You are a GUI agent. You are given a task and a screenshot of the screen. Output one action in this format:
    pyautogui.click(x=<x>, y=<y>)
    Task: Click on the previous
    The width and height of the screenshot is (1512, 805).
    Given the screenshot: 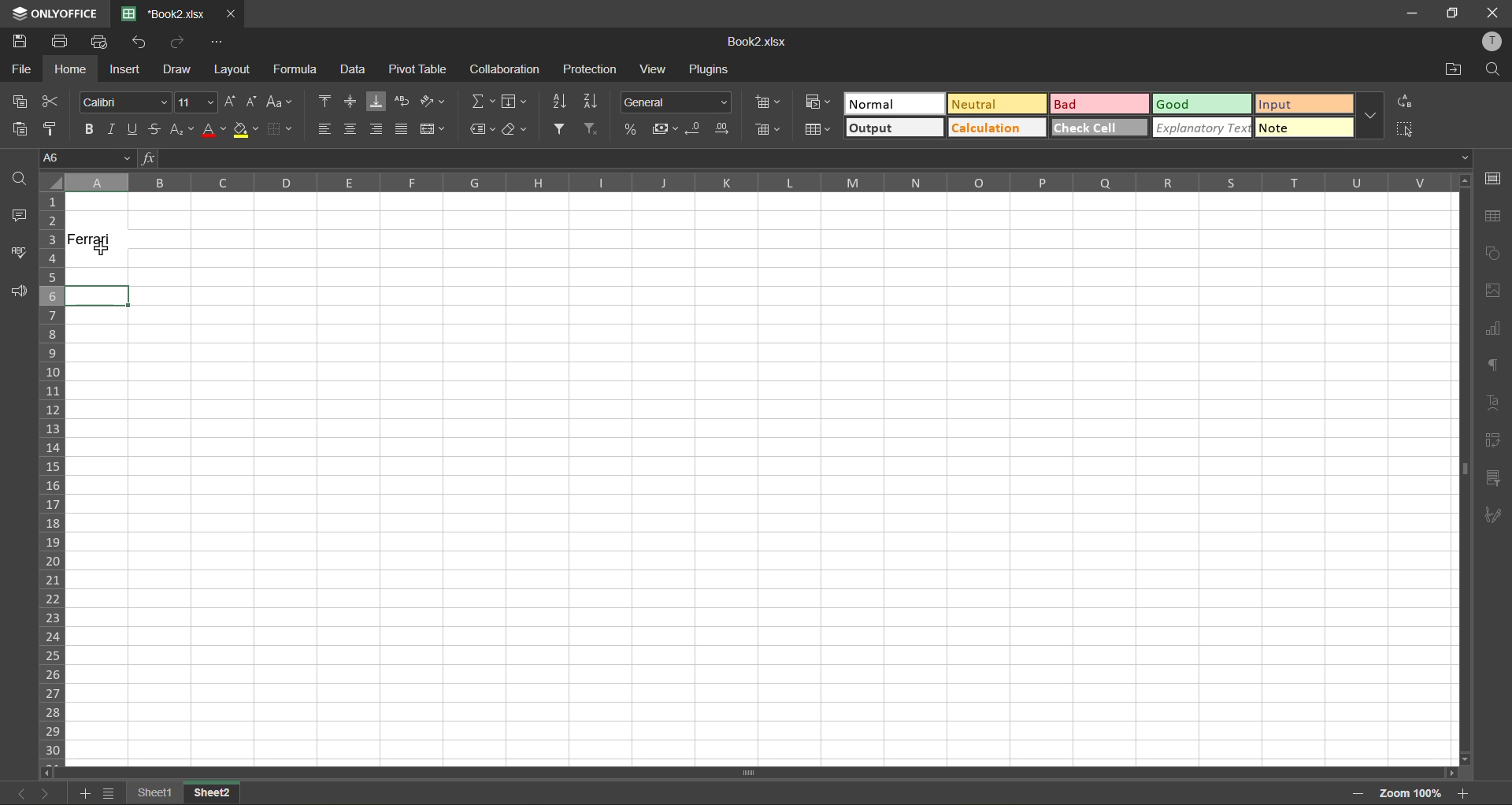 What is the action you would take?
    pyautogui.click(x=17, y=793)
    